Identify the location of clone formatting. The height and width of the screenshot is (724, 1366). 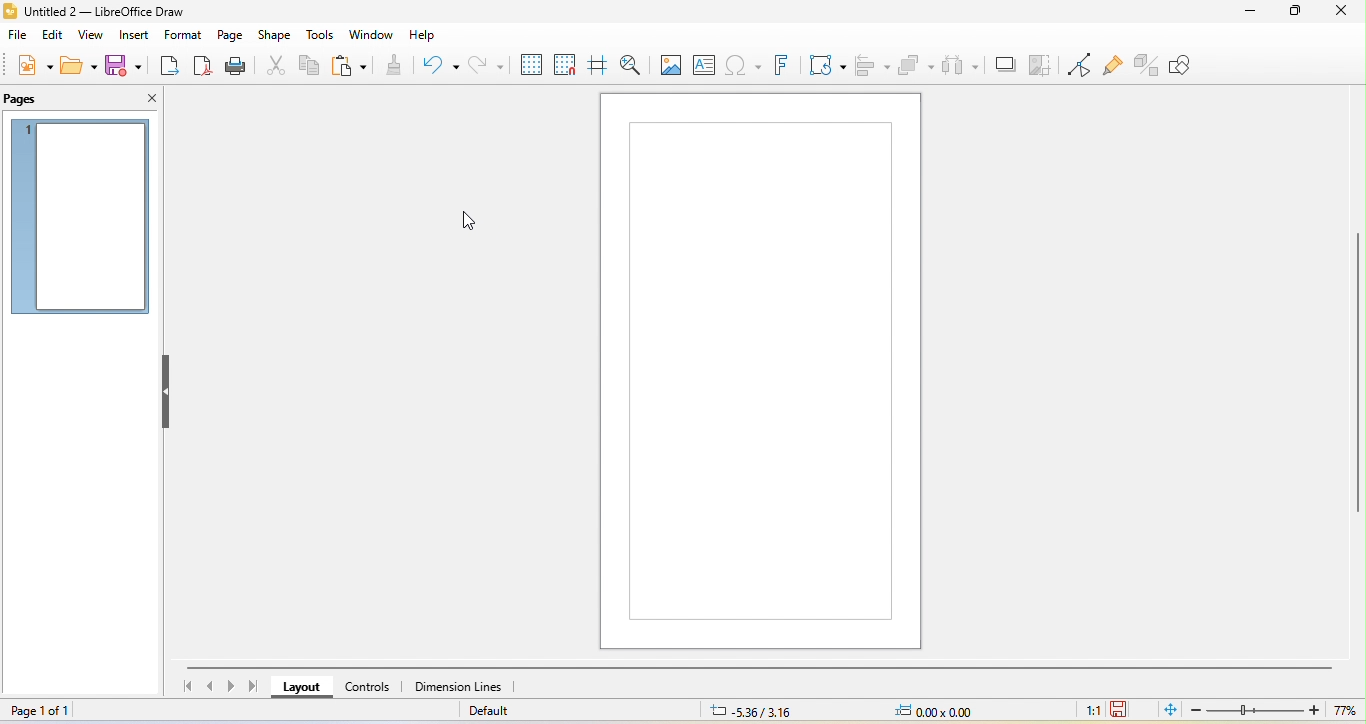
(395, 65).